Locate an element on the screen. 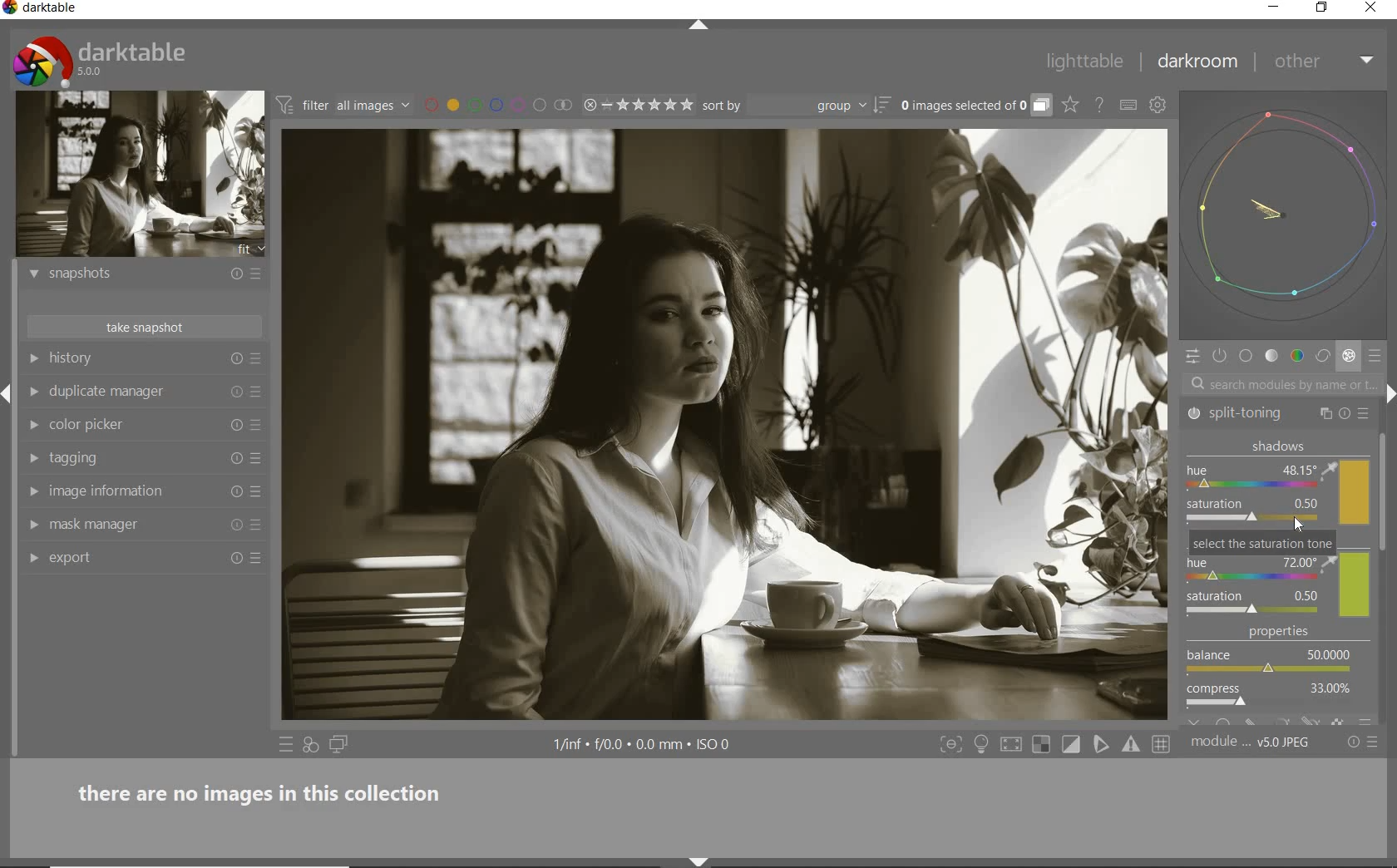 This screenshot has height=868, width=1397. color is located at coordinates (1296, 357).